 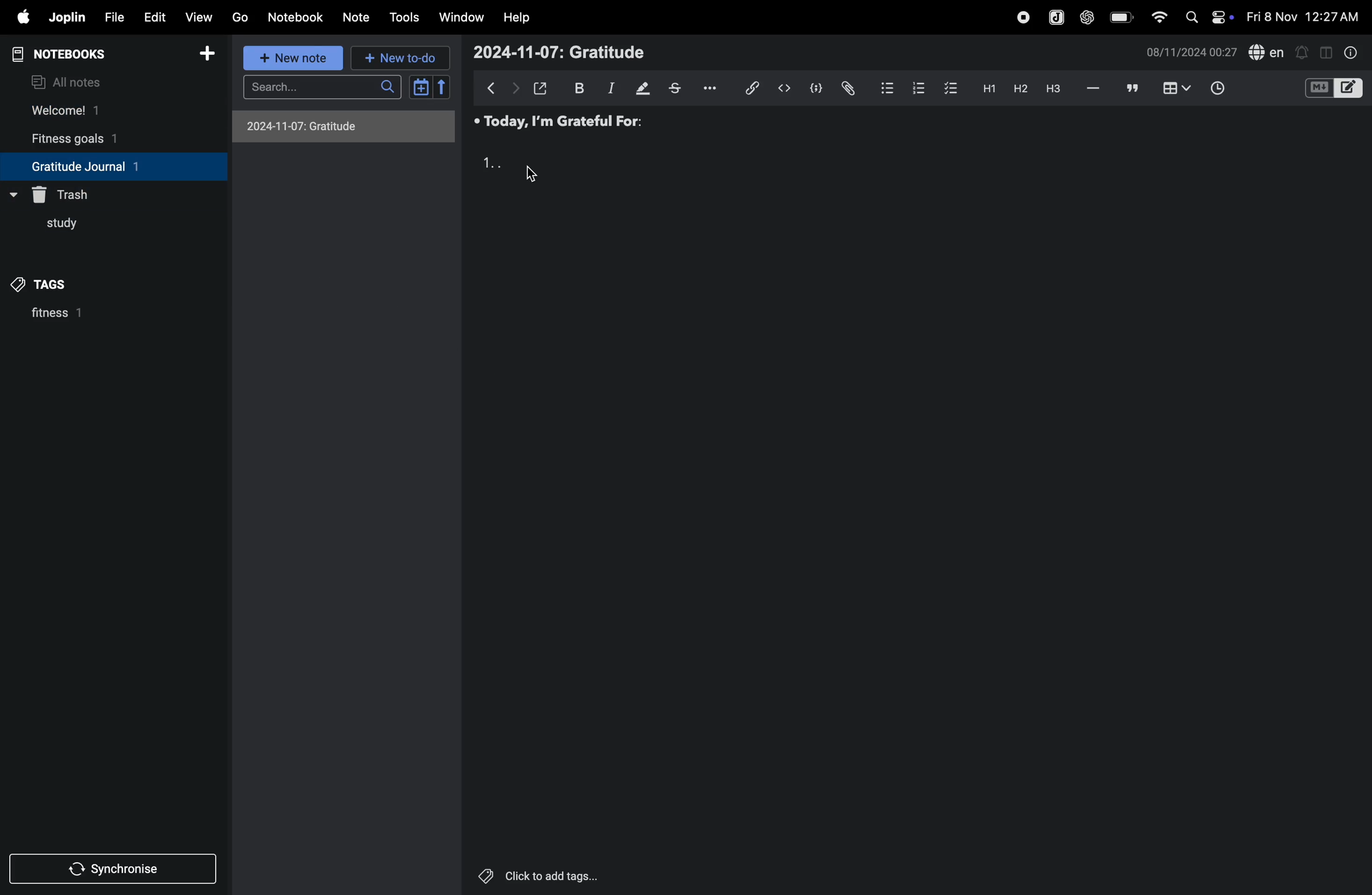 What do you see at coordinates (559, 52) in the screenshot?
I see `2024-11-07: Gratitude` at bounding box center [559, 52].